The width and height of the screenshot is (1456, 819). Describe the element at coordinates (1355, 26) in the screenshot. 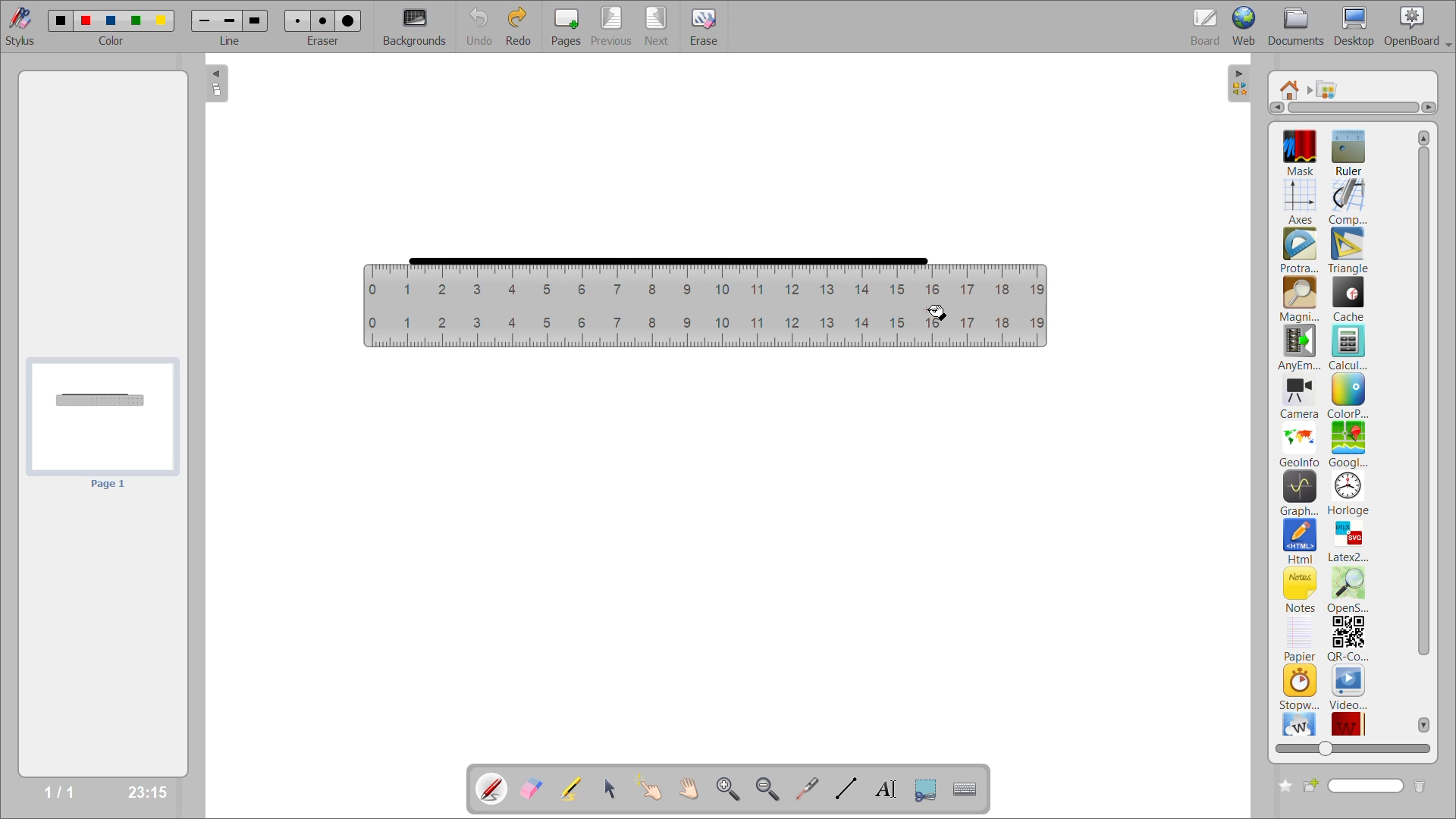

I see `desktop` at that location.